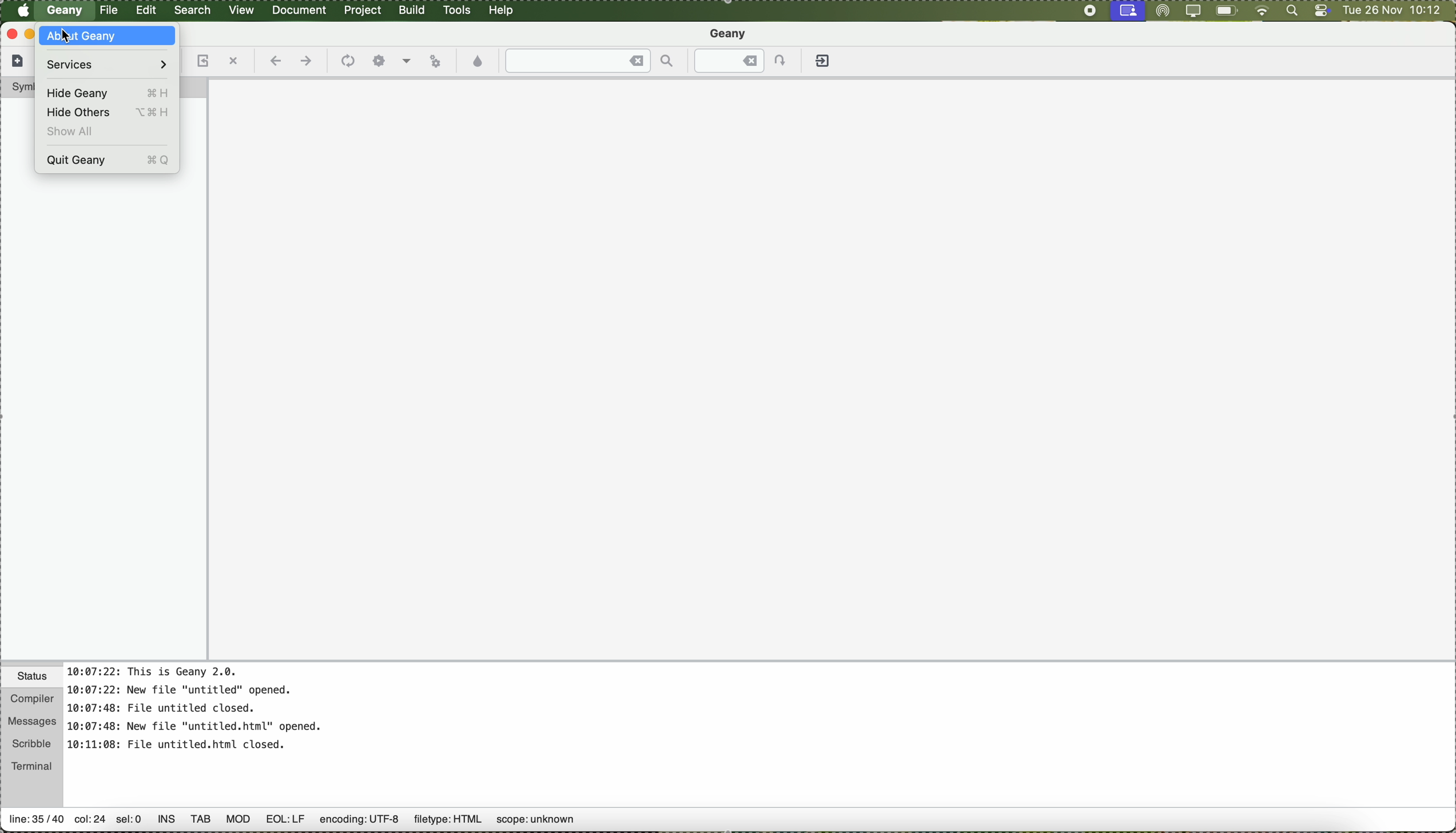 Image resolution: width=1456 pixels, height=833 pixels. I want to click on Services, so click(105, 64).